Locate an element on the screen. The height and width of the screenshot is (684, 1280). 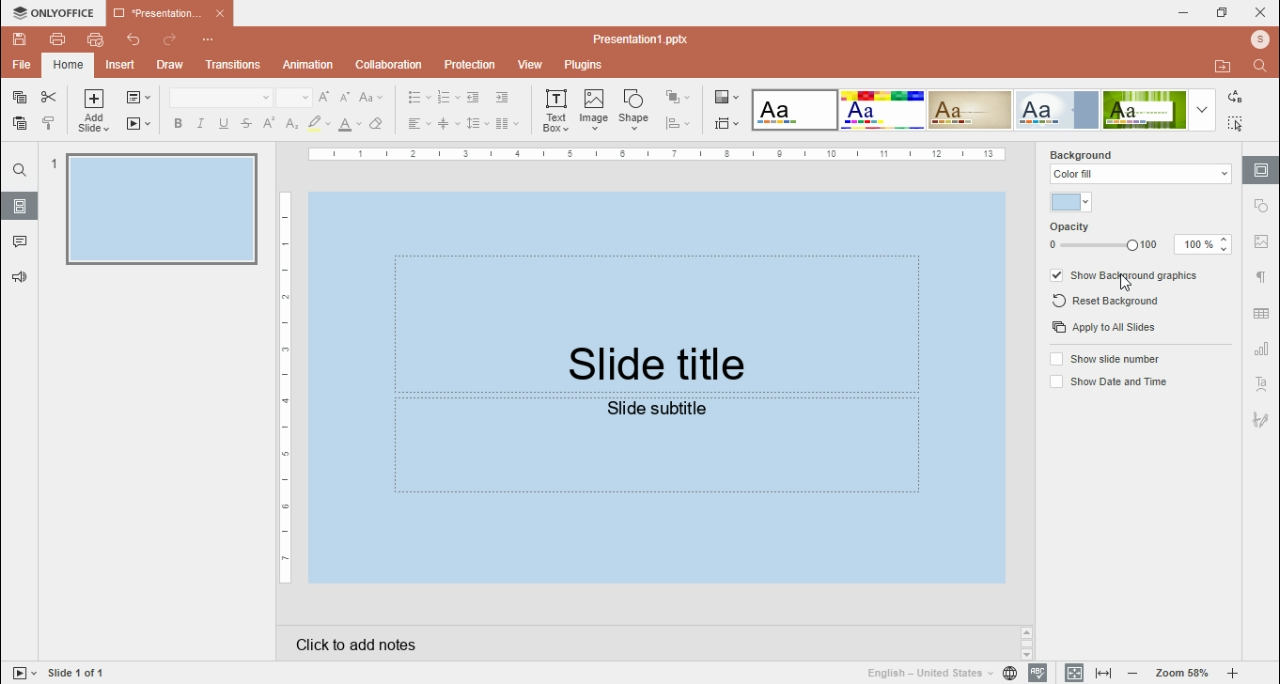
bold is located at coordinates (178, 124).